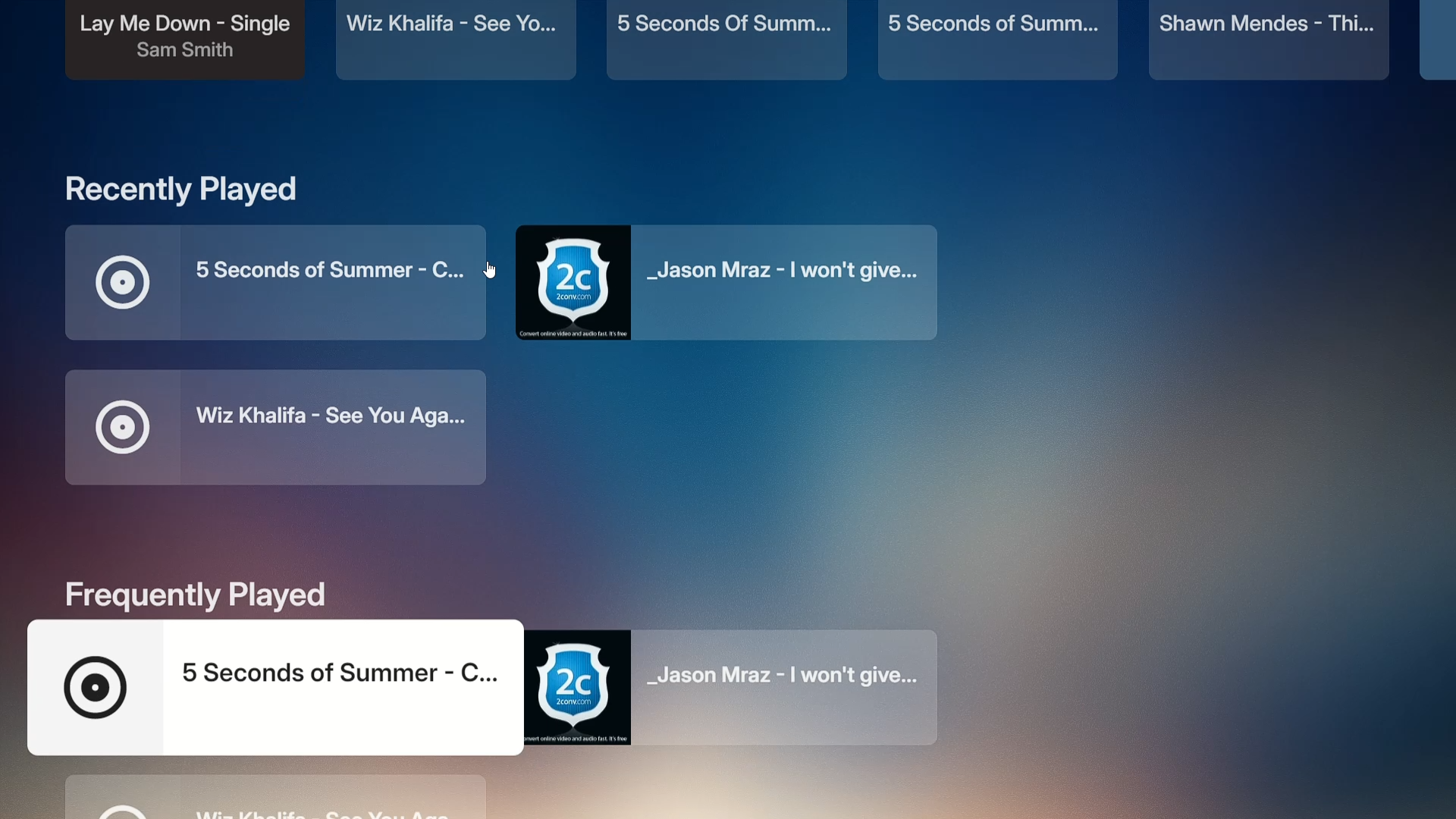  Describe the element at coordinates (182, 45) in the screenshot. I see `Lay Me Down` at that location.